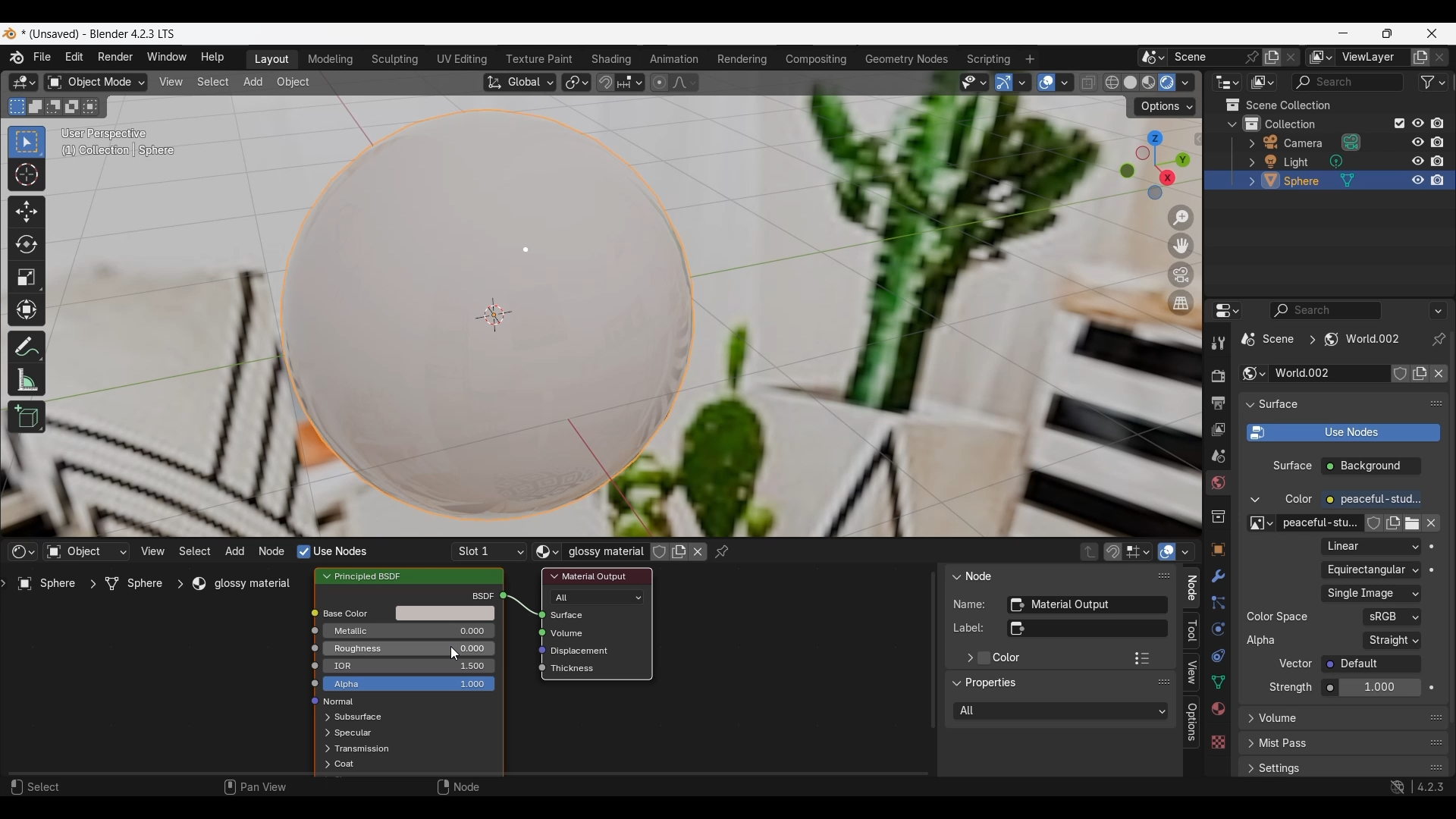 Image resolution: width=1456 pixels, height=819 pixels. I want to click on Edit sphere options, so click(1271, 180).